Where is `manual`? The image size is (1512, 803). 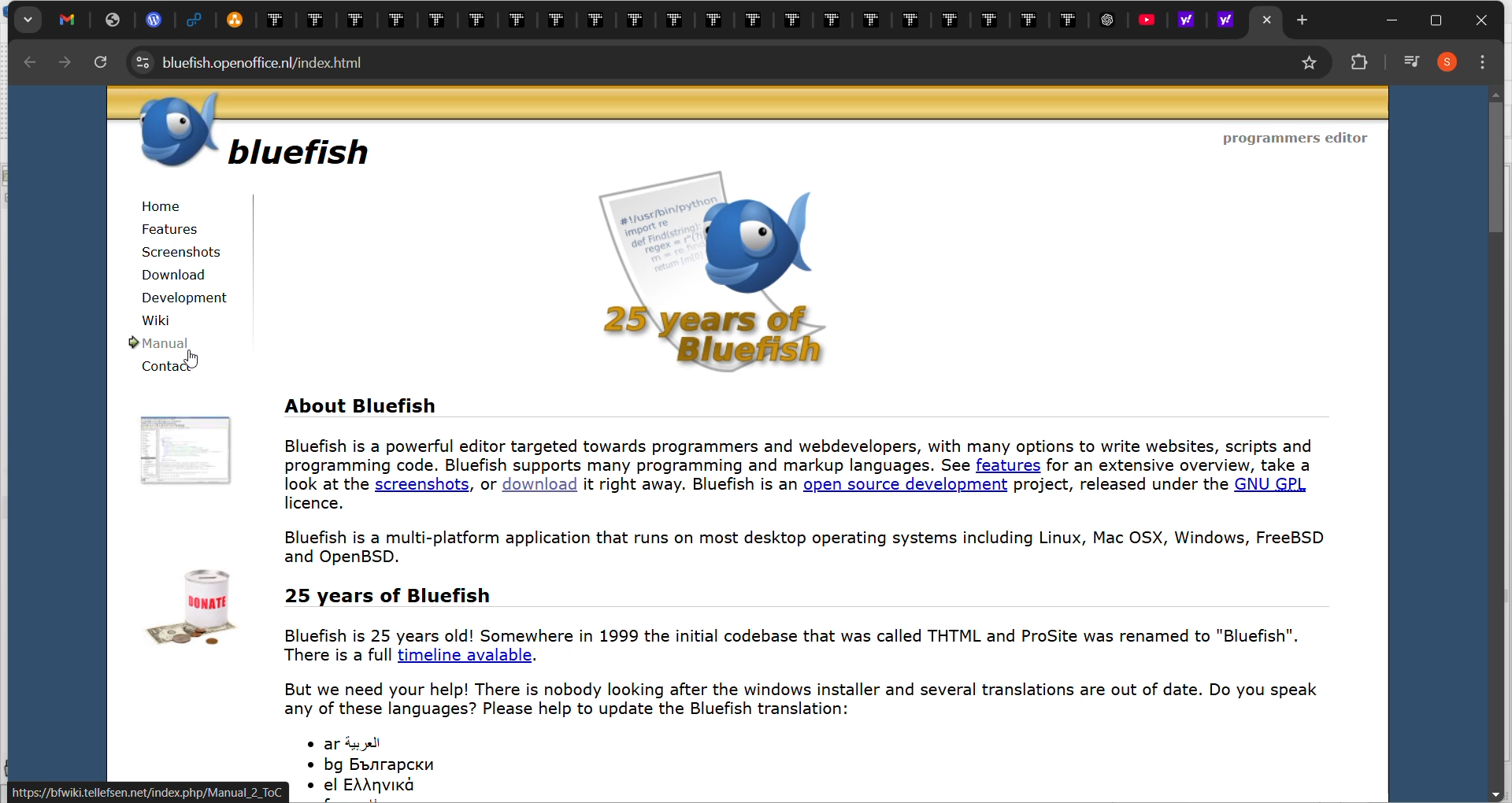
manual is located at coordinates (164, 344).